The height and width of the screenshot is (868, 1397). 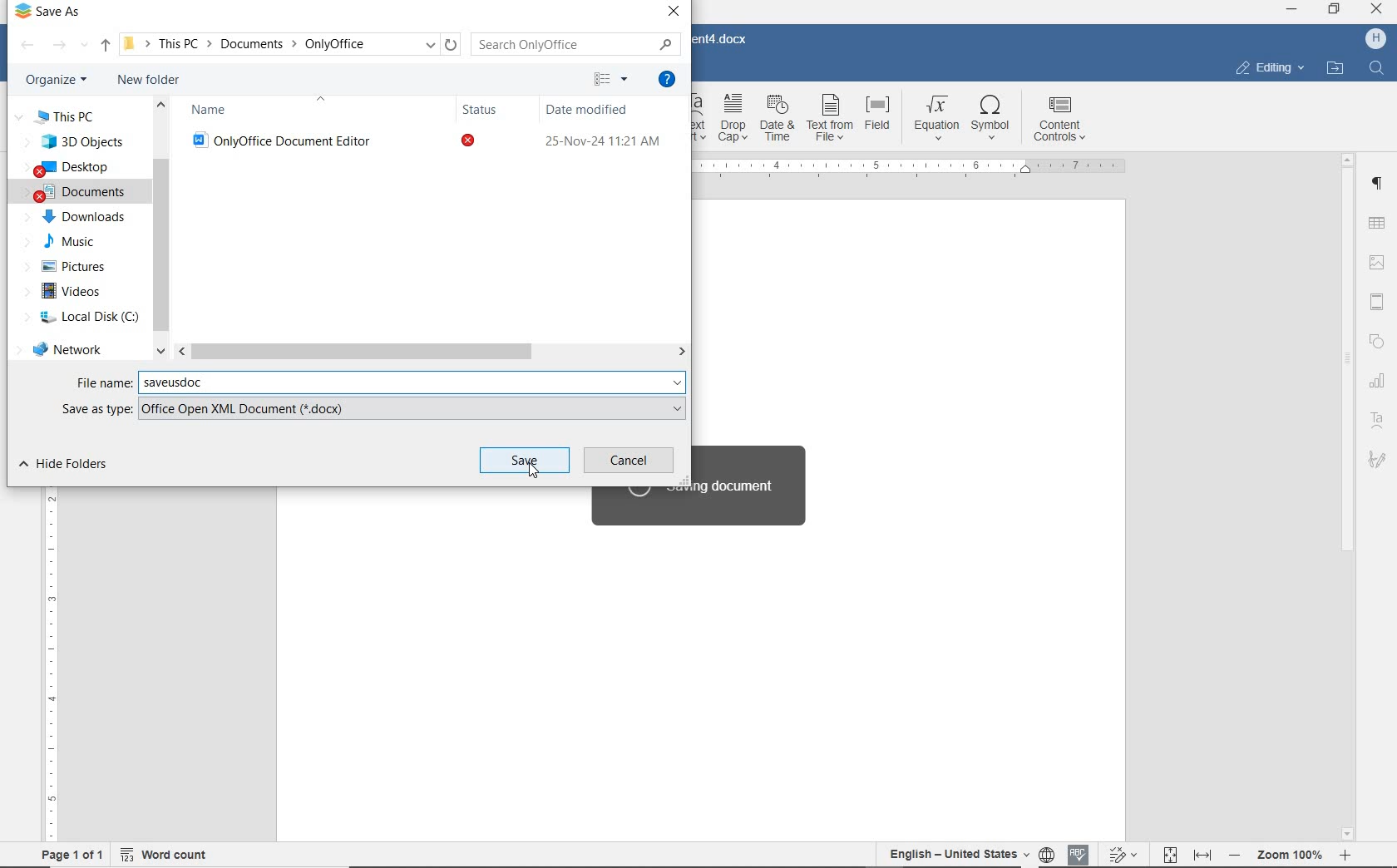 What do you see at coordinates (96, 45) in the screenshot?
I see `up` at bounding box center [96, 45].